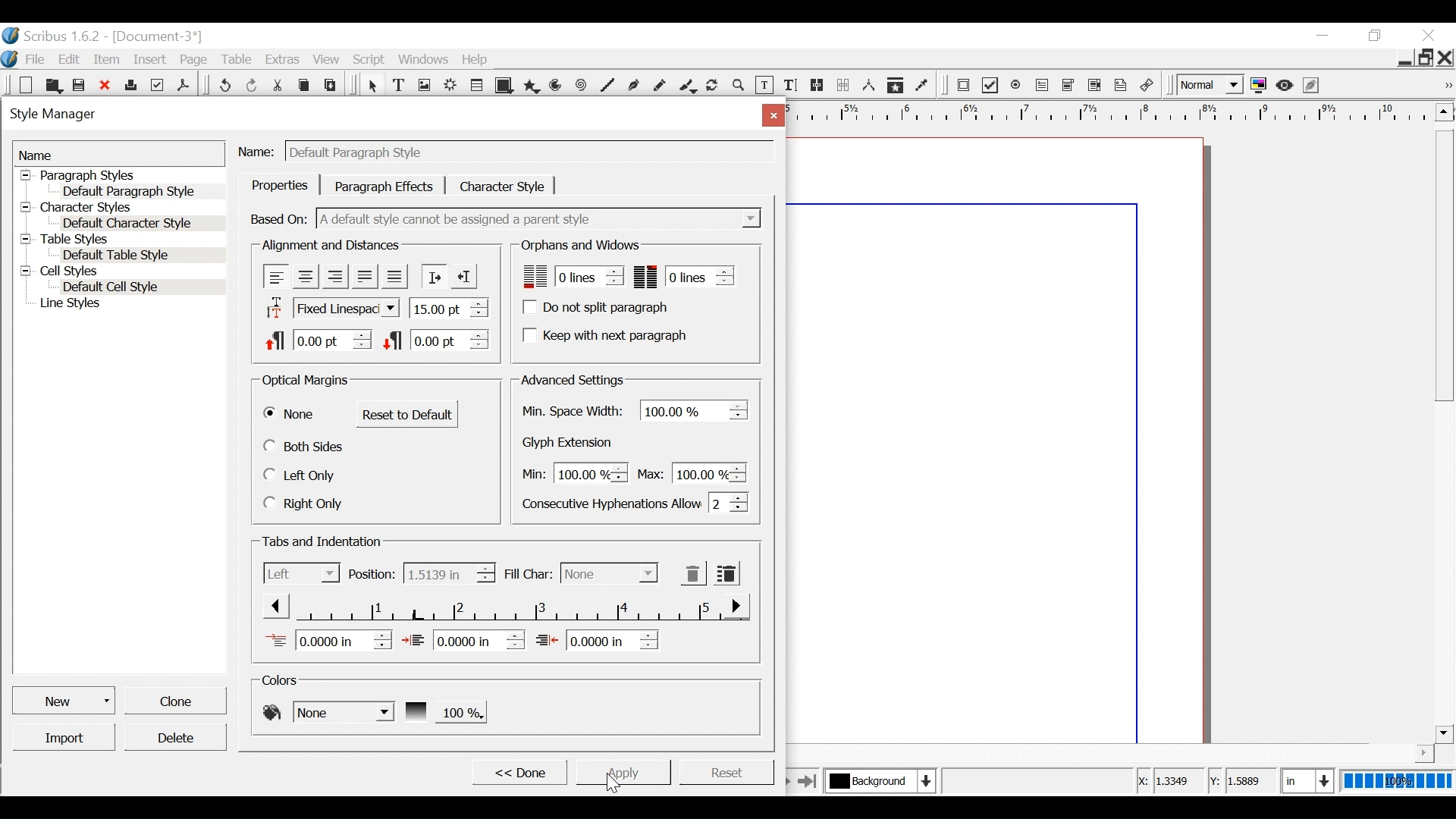 Image resolution: width=1456 pixels, height=819 pixels. What do you see at coordinates (1244, 781) in the screenshot?
I see `Y Coordinates` at bounding box center [1244, 781].